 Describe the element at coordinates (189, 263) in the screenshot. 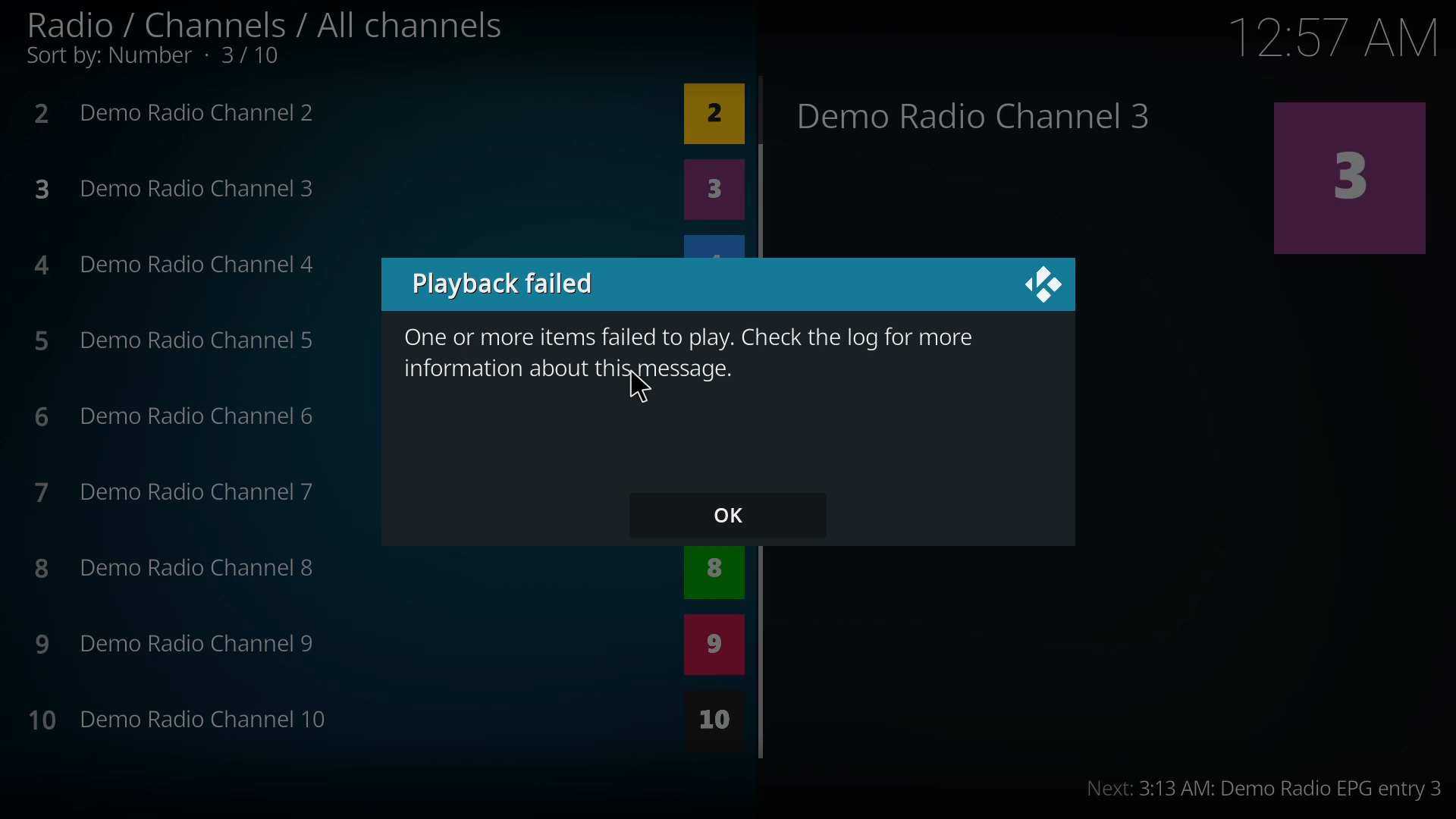

I see `4 Demo Radio Channel 4` at that location.